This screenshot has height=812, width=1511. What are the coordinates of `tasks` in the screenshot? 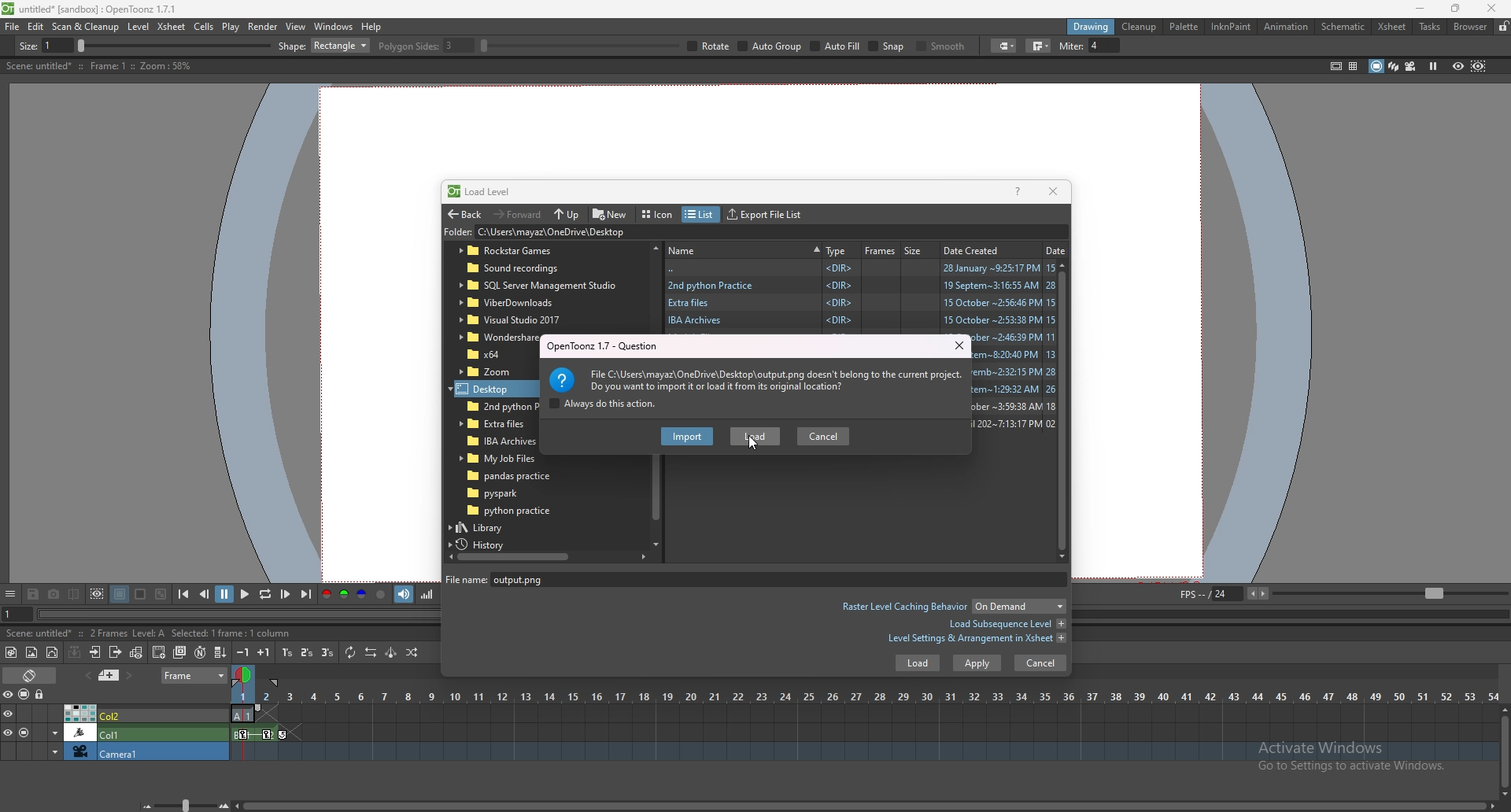 It's located at (1429, 28).